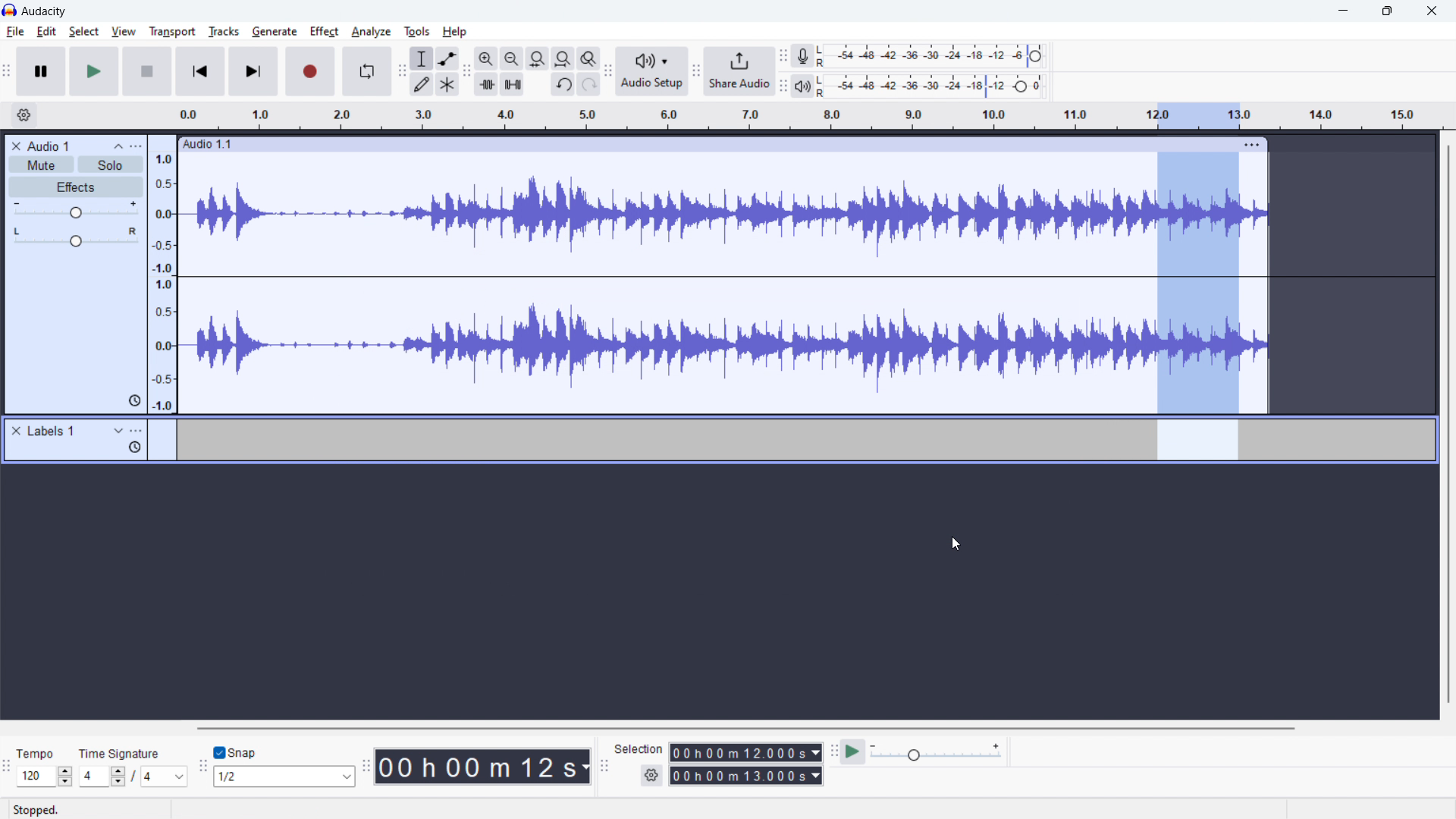  What do you see at coordinates (254, 71) in the screenshot?
I see `skip to end` at bounding box center [254, 71].